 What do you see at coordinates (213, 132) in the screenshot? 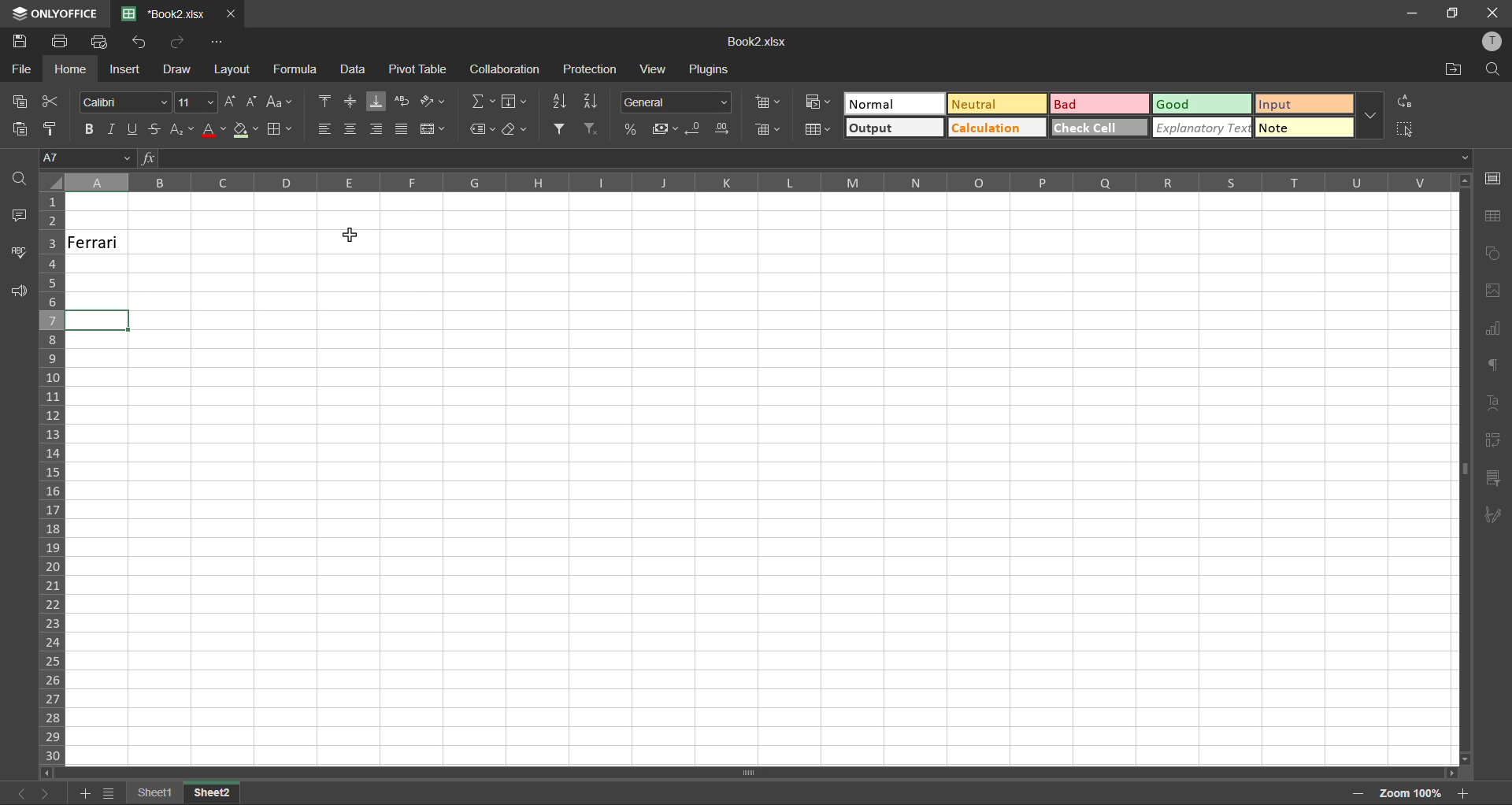
I see `fontcolor` at bounding box center [213, 132].